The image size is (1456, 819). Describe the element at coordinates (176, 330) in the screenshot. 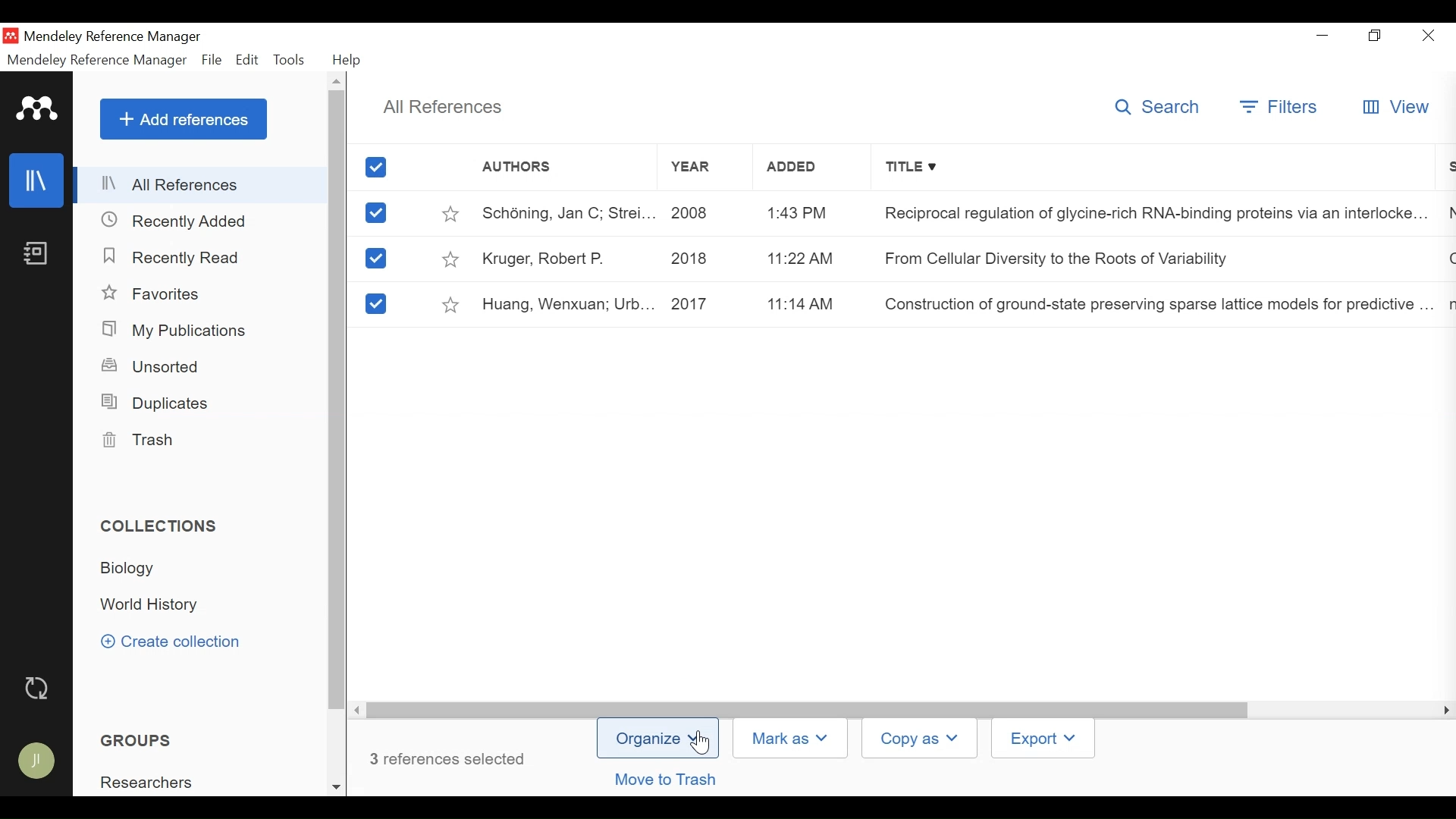

I see `My Publications` at that location.